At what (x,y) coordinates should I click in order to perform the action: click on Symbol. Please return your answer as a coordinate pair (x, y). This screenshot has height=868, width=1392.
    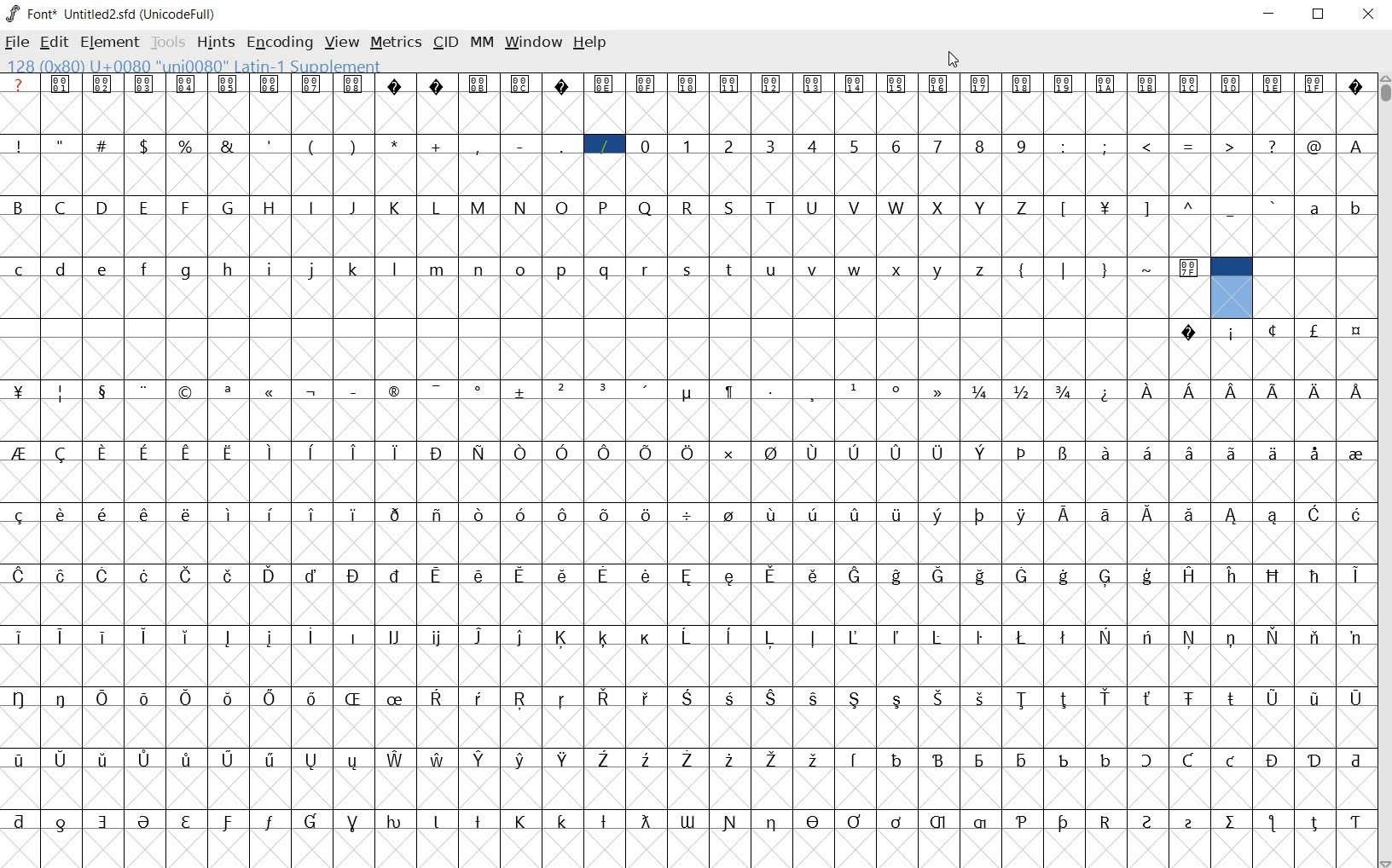
    Looking at the image, I should click on (1106, 205).